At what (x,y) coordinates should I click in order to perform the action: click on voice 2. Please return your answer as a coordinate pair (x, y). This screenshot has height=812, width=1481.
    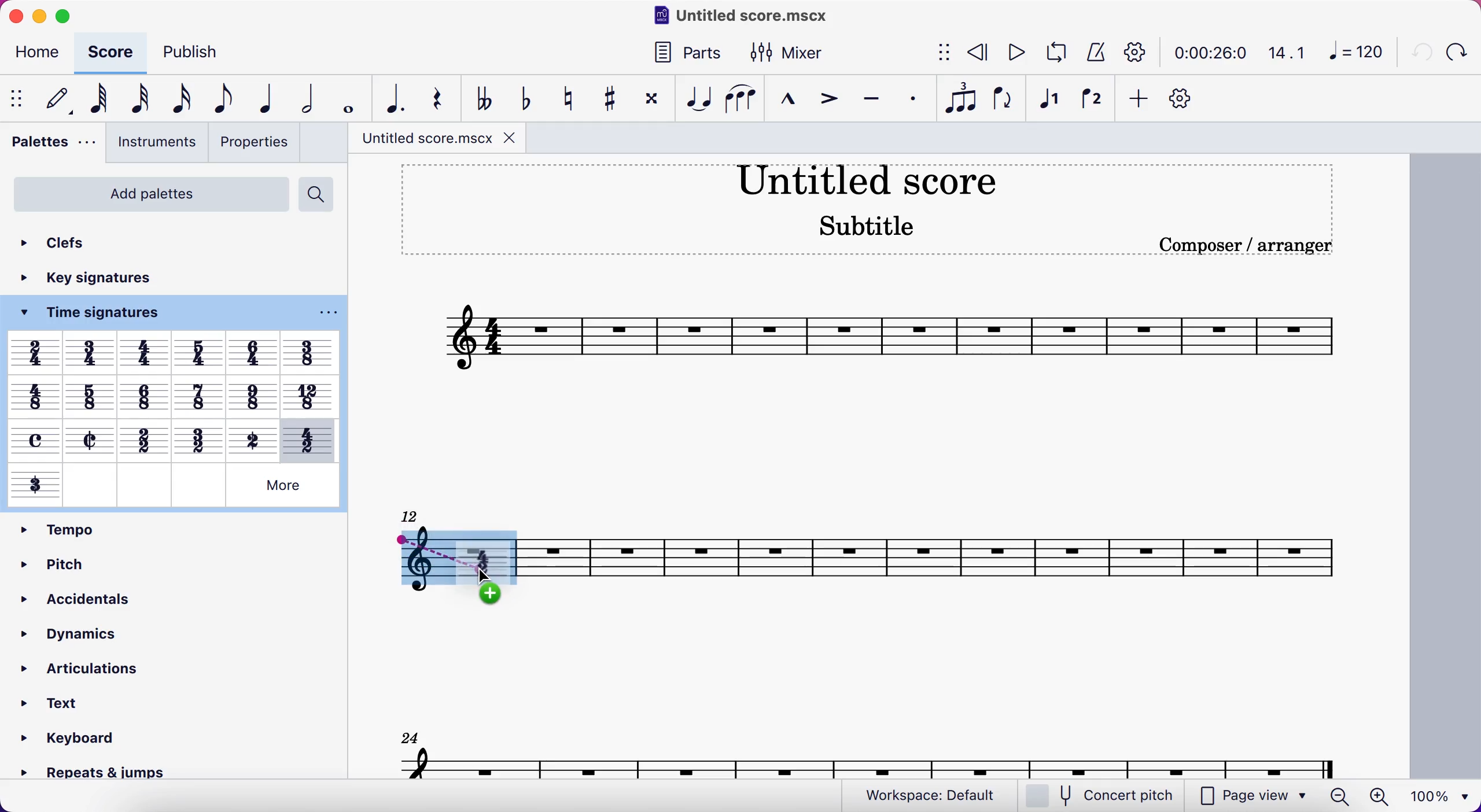
    Looking at the image, I should click on (1089, 98).